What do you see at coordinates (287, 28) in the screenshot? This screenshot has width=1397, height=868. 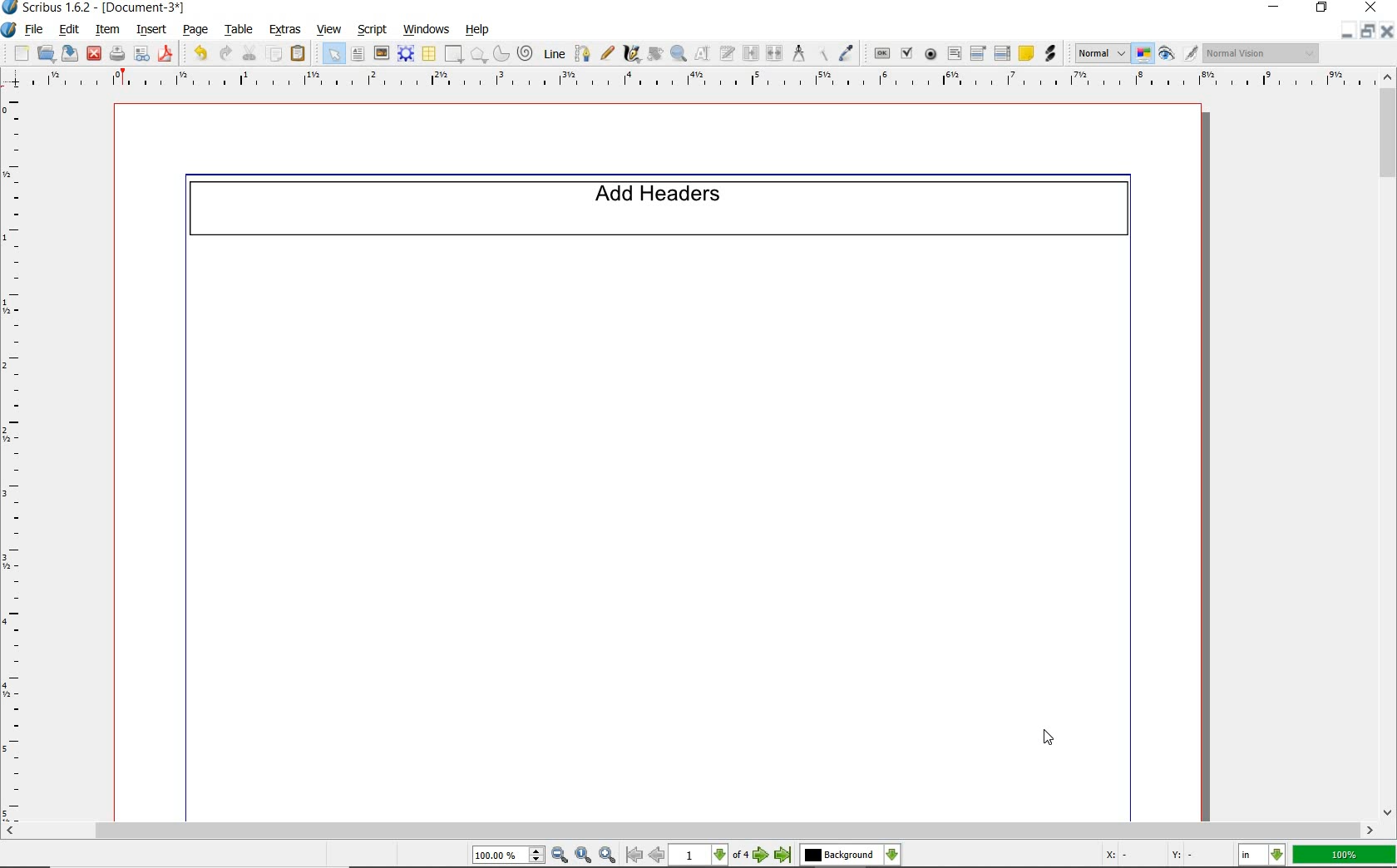 I see `extras` at bounding box center [287, 28].